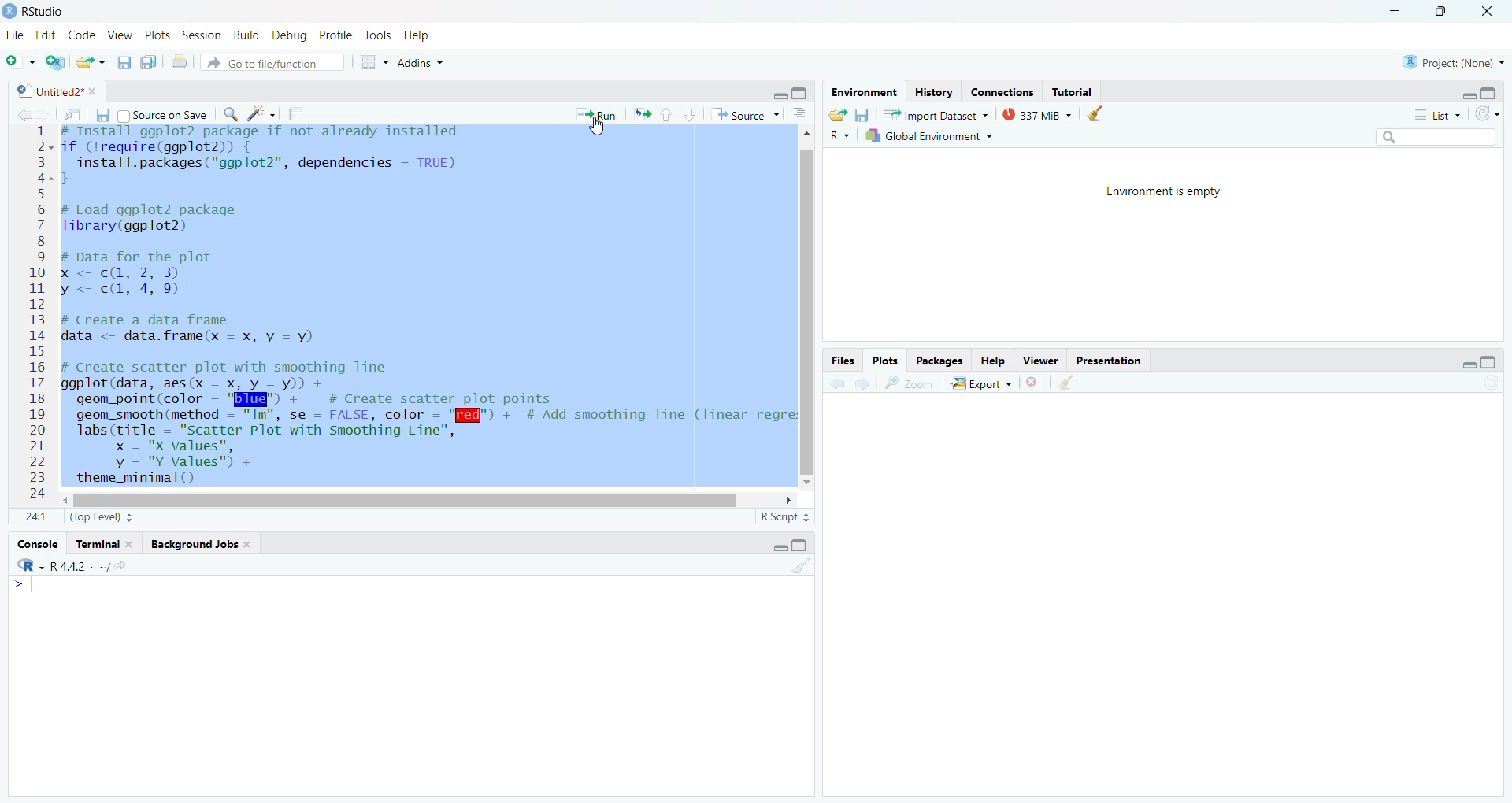 The height and width of the screenshot is (803, 1512). What do you see at coordinates (155, 35) in the screenshot?
I see ` Plots` at bounding box center [155, 35].